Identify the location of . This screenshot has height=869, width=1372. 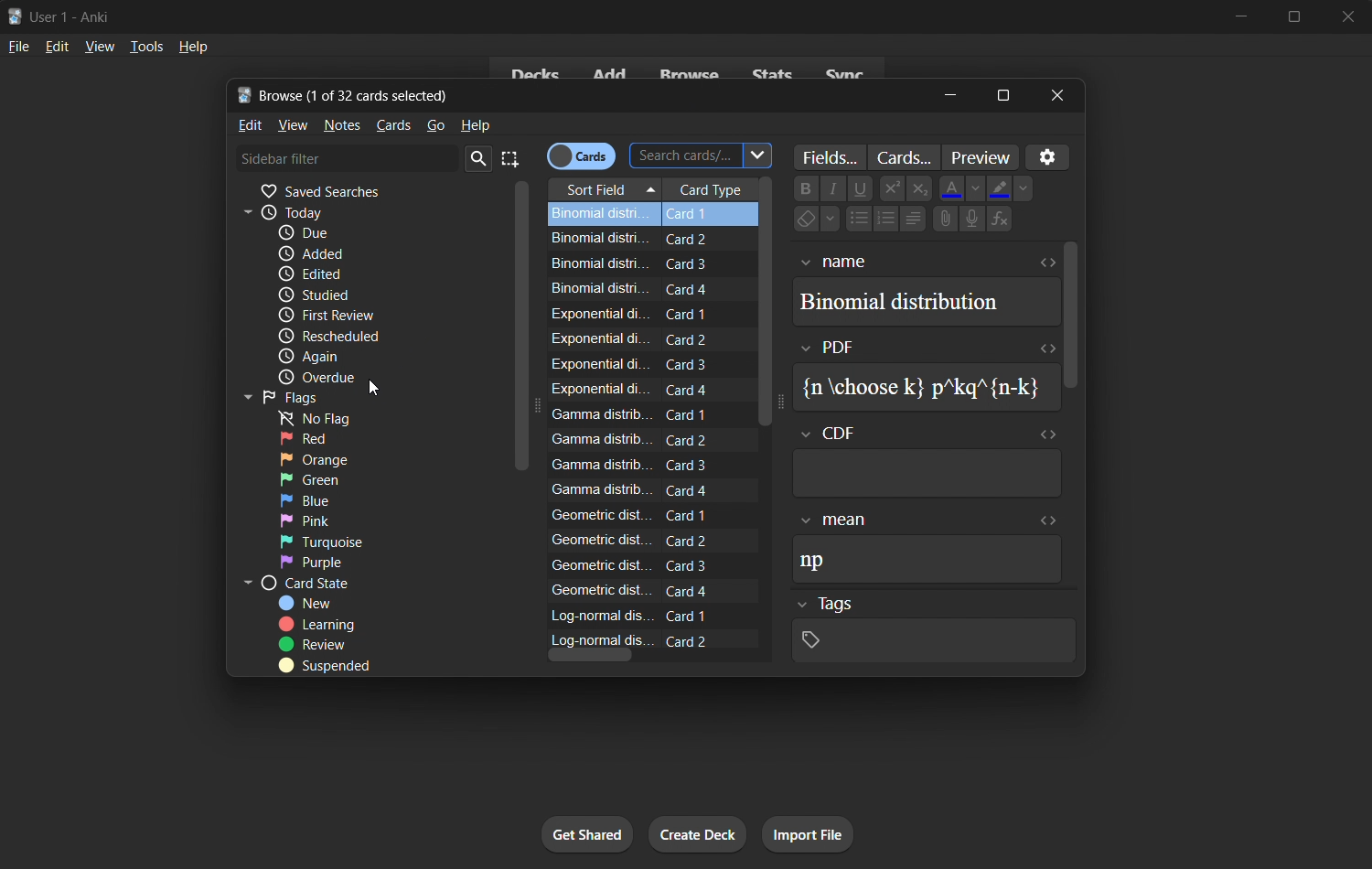
(923, 475).